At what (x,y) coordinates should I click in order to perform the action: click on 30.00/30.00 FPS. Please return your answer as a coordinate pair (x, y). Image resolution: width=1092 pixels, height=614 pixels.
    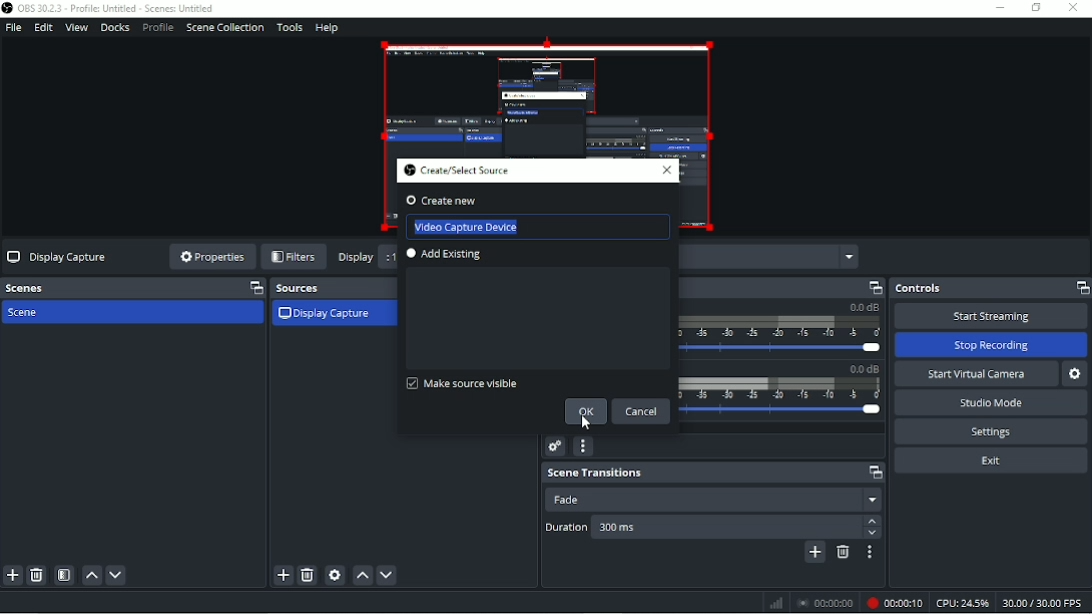
    Looking at the image, I should click on (1045, 604).